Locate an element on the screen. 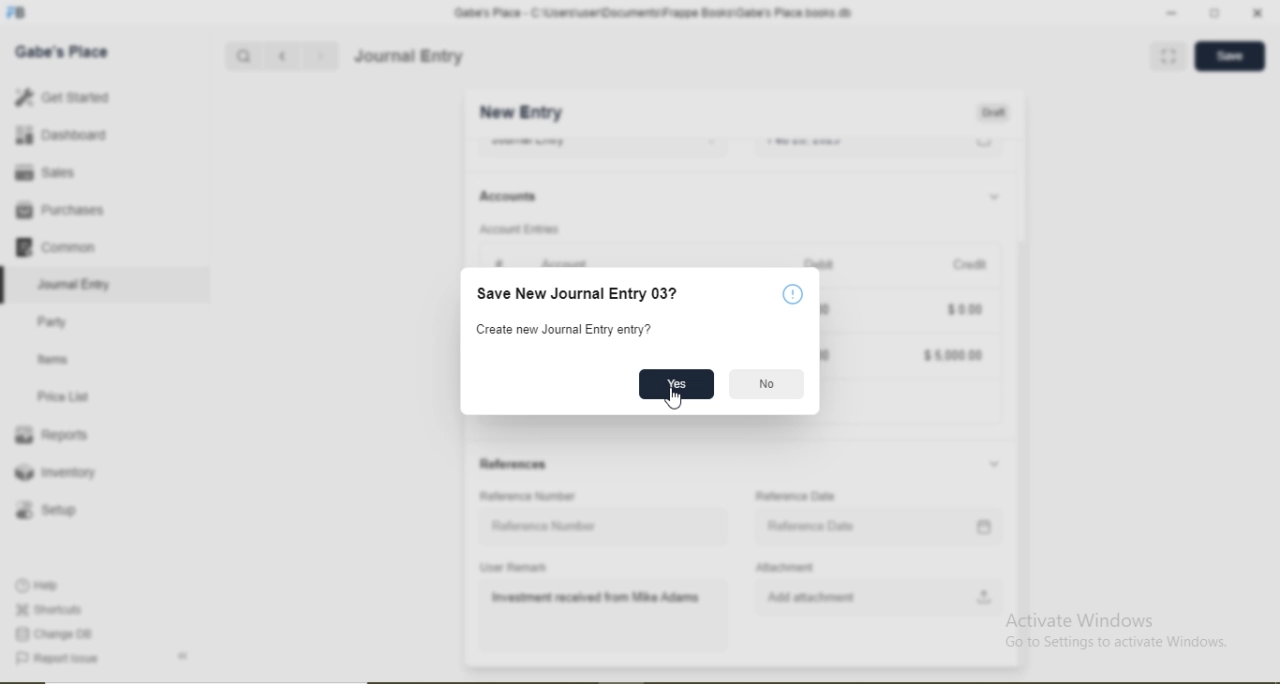 The image size is (1280, 684). Investment received from Mike Adams is located at coordinates (597, 598).